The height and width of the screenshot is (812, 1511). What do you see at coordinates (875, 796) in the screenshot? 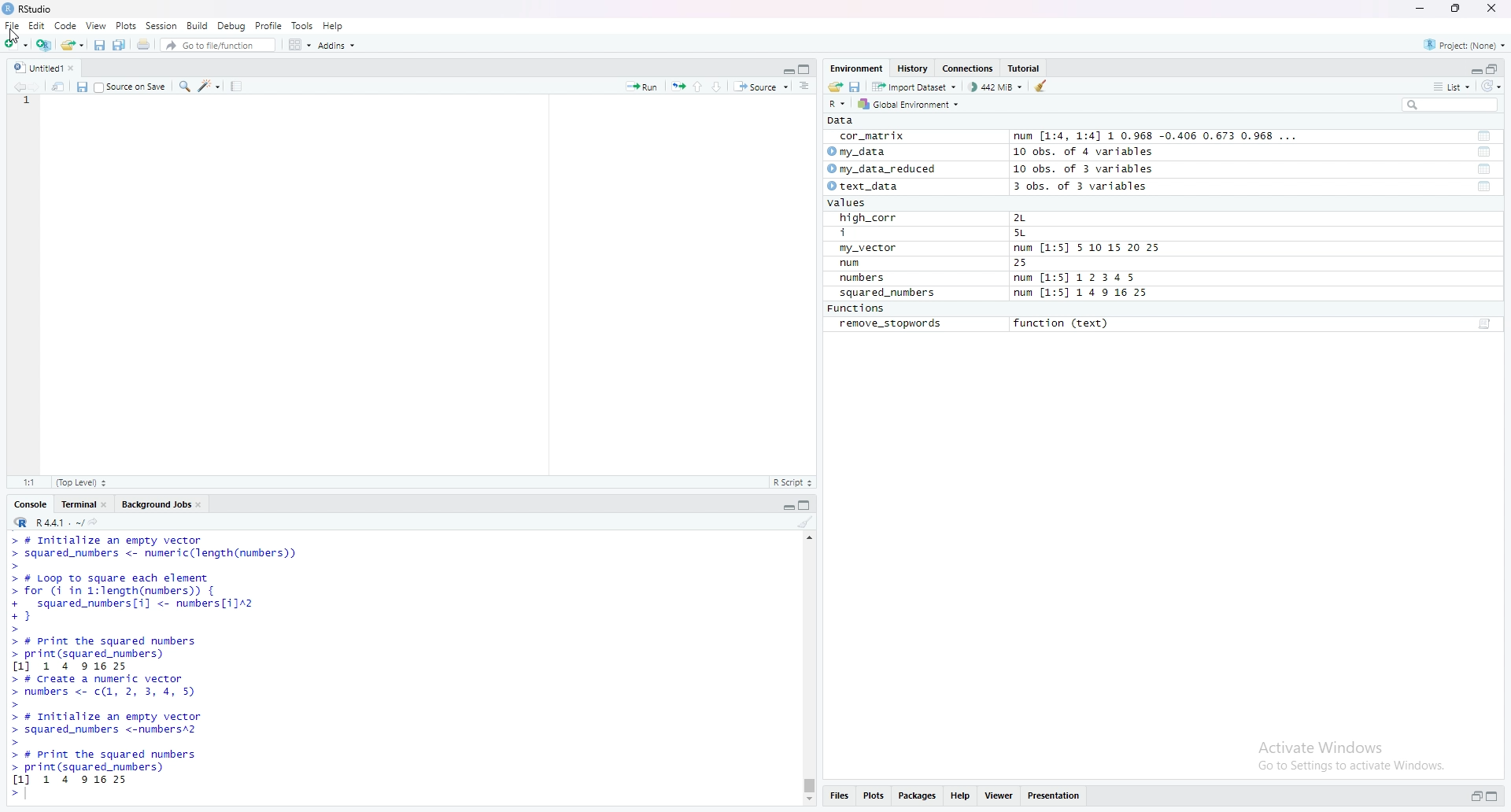
I see `Plots` at bounding box center [875, 796].